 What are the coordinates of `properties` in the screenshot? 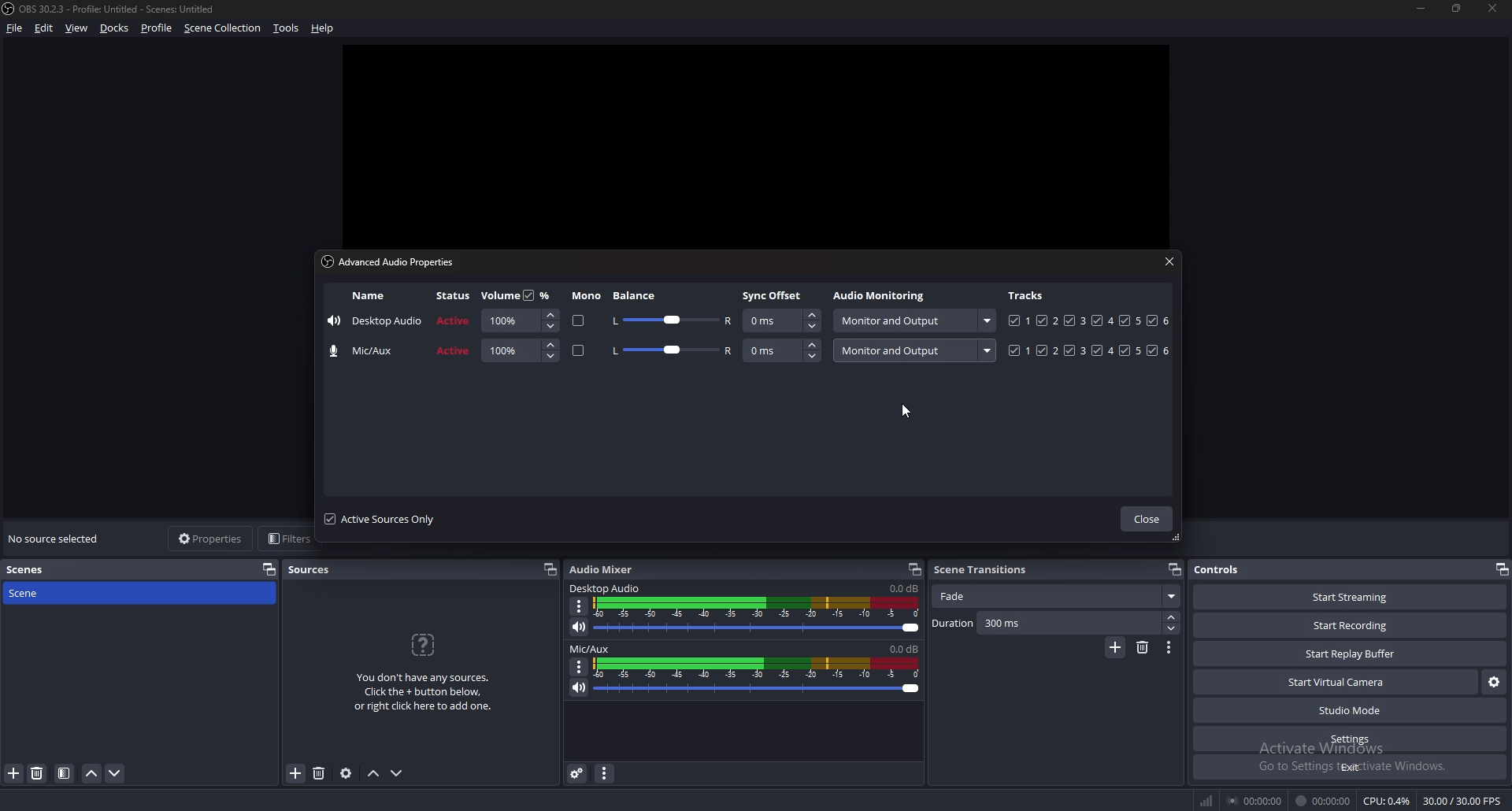 It's located at (209, 538).